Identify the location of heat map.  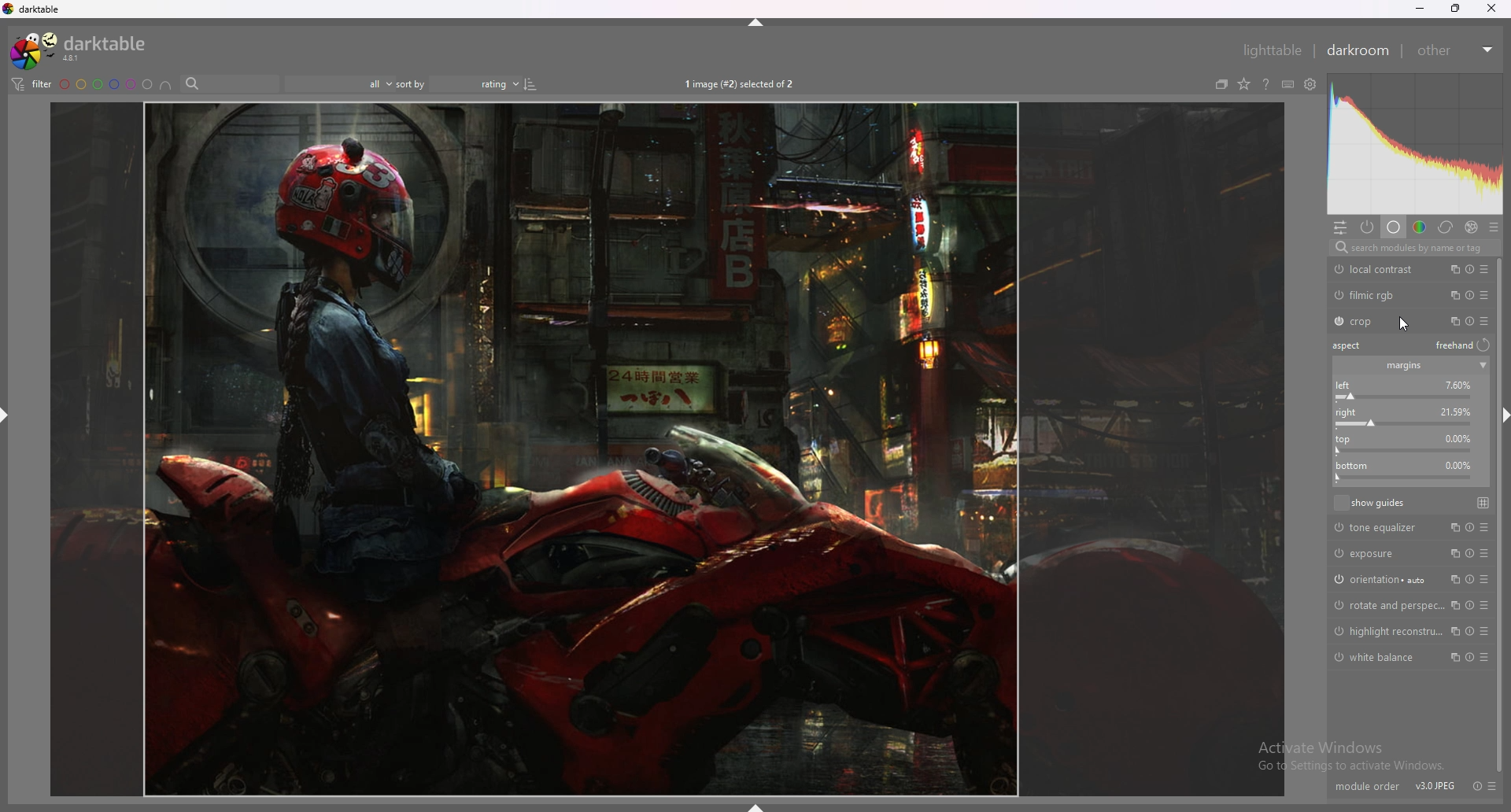
(1414, 143).